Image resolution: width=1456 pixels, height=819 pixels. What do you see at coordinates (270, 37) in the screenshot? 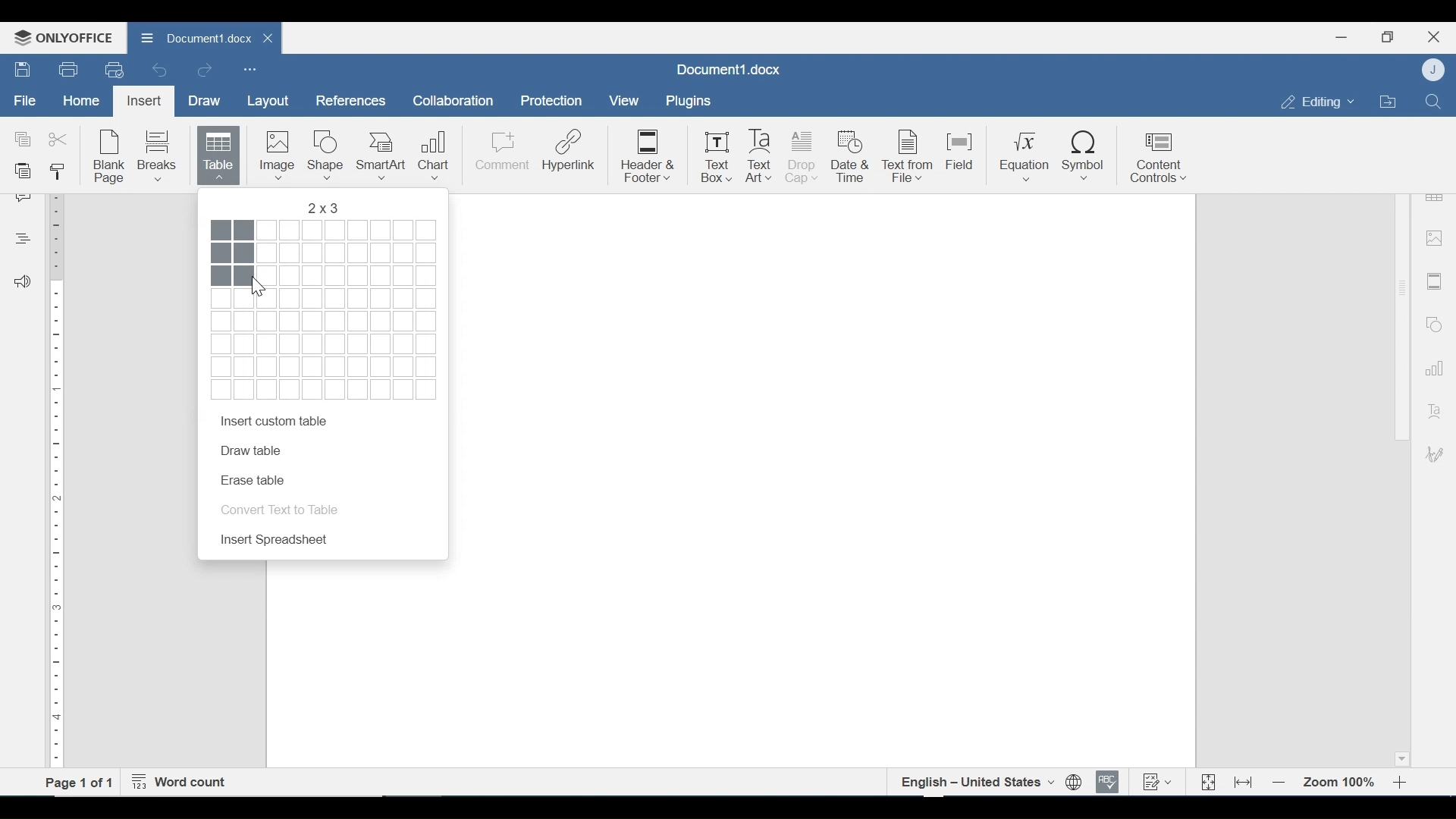
I see `close` at bounding box center [270, 37].